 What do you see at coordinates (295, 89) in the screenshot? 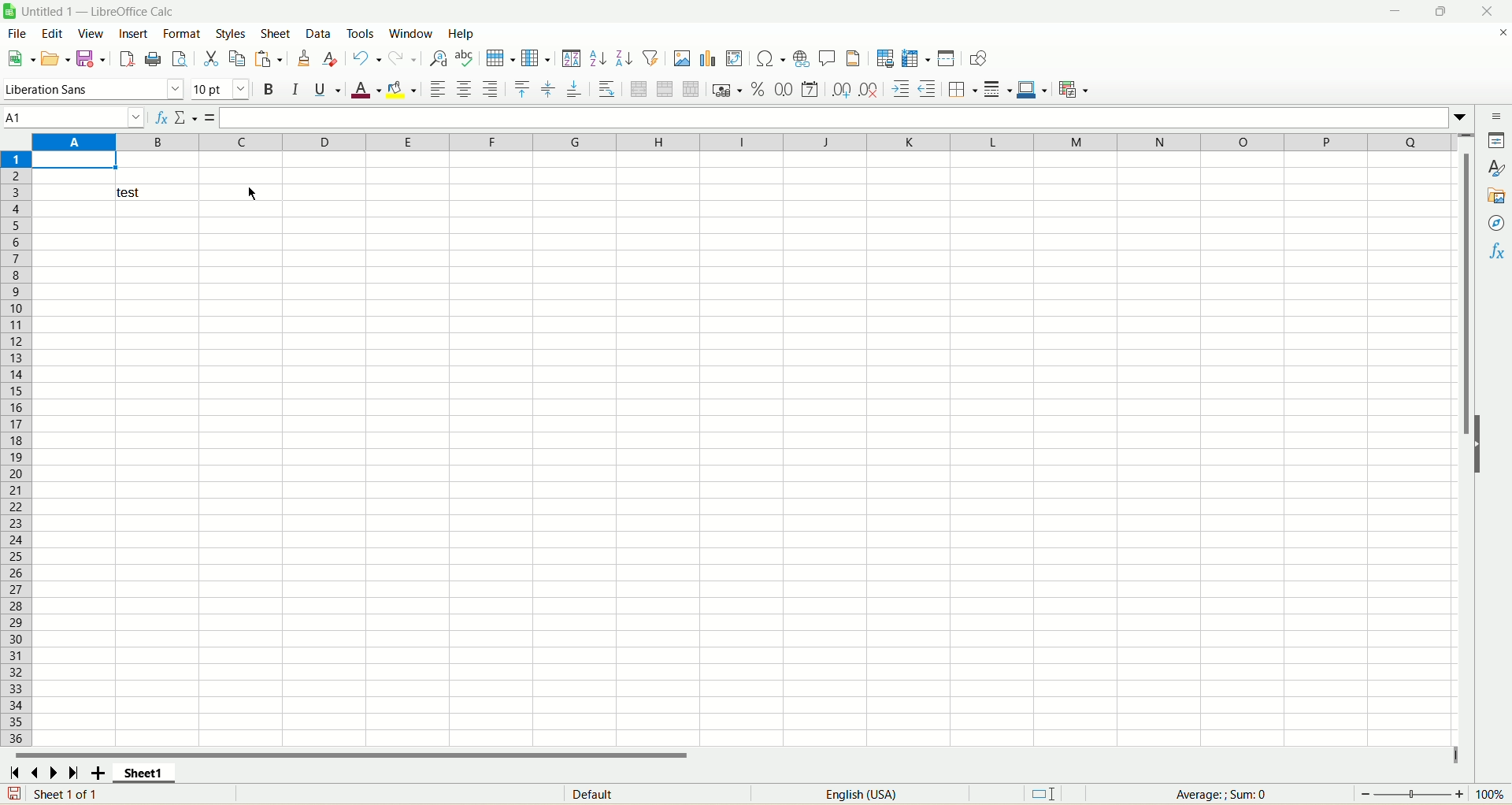
I see `italic` at bounding box center [295, 89].